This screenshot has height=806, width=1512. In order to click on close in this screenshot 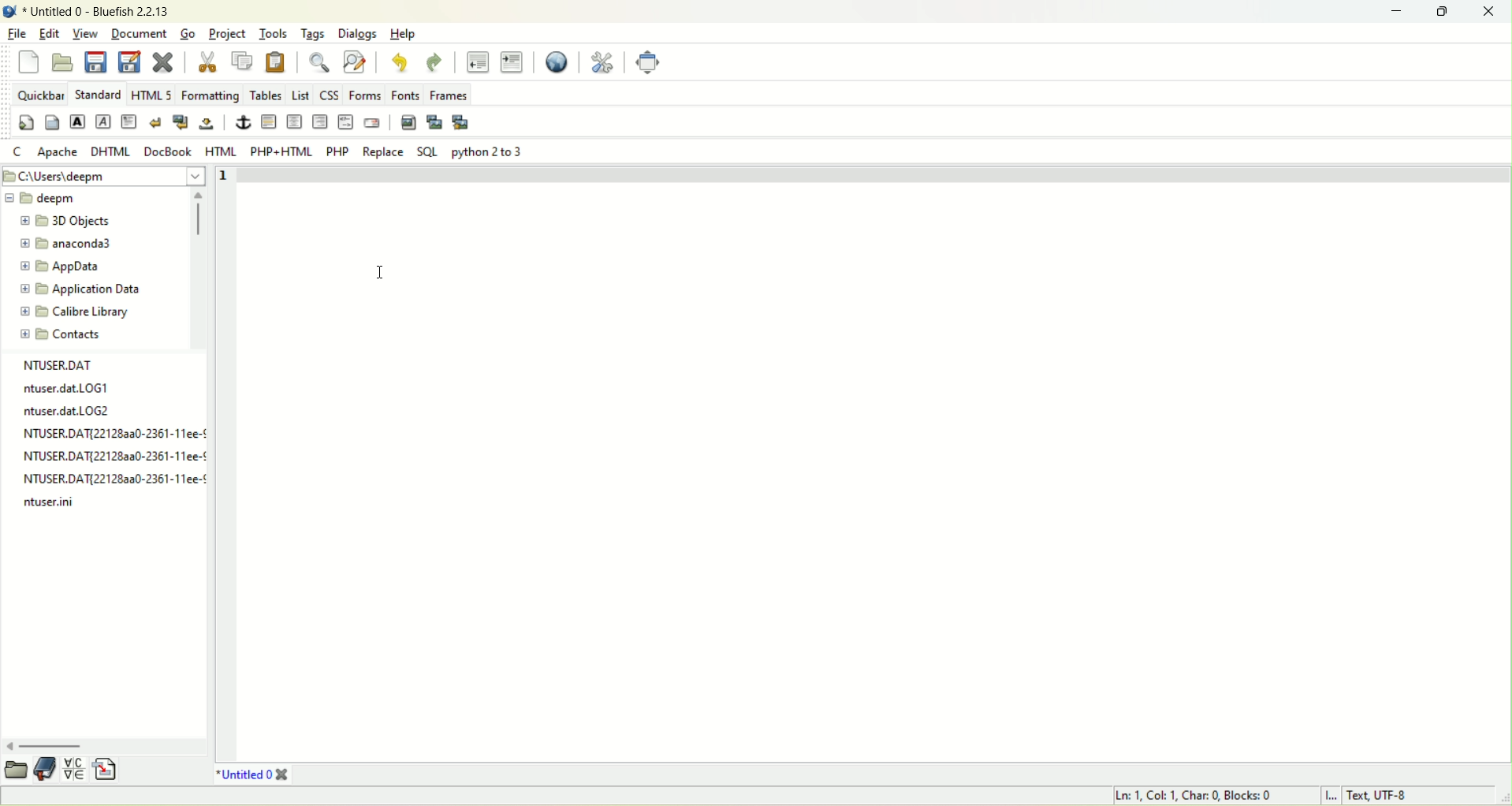, I will do `click(162, 61)`.